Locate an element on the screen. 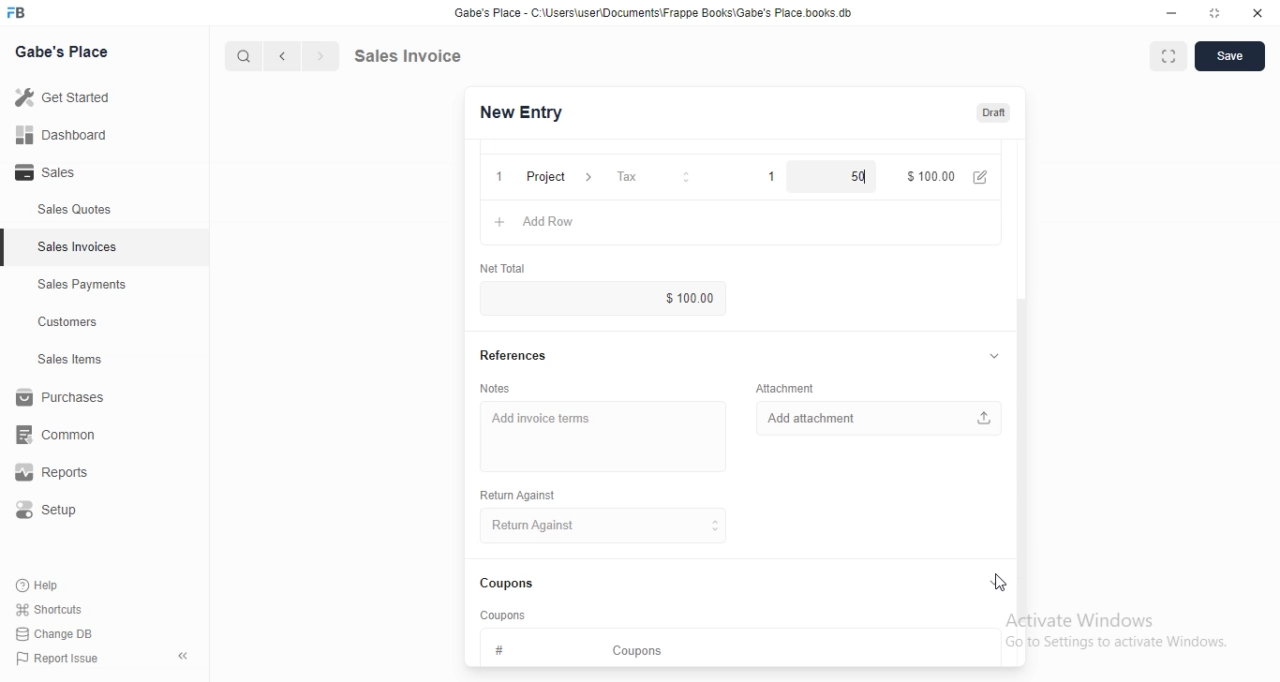 This screenshot has width=1280, height=682. Shortcuts is located at coordinates (61, 608).